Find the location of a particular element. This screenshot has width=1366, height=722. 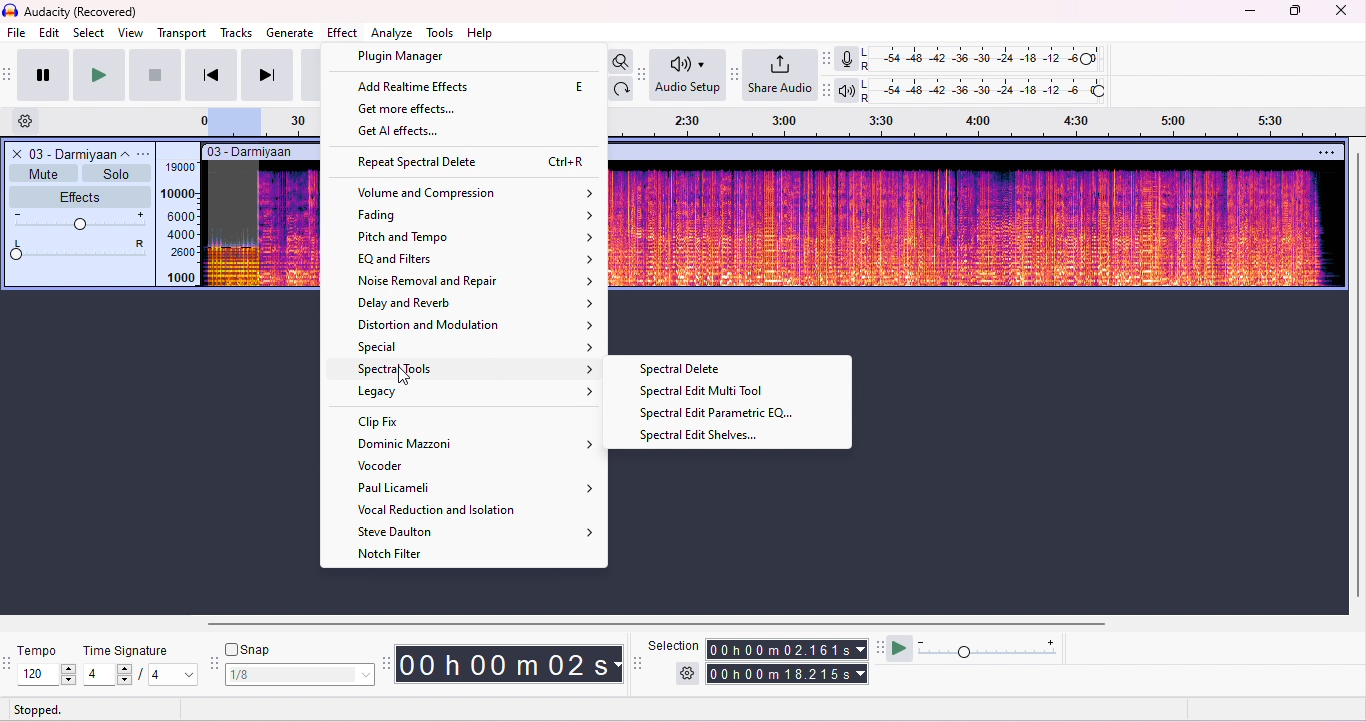

vocoder is located at coordinates (435, 467).